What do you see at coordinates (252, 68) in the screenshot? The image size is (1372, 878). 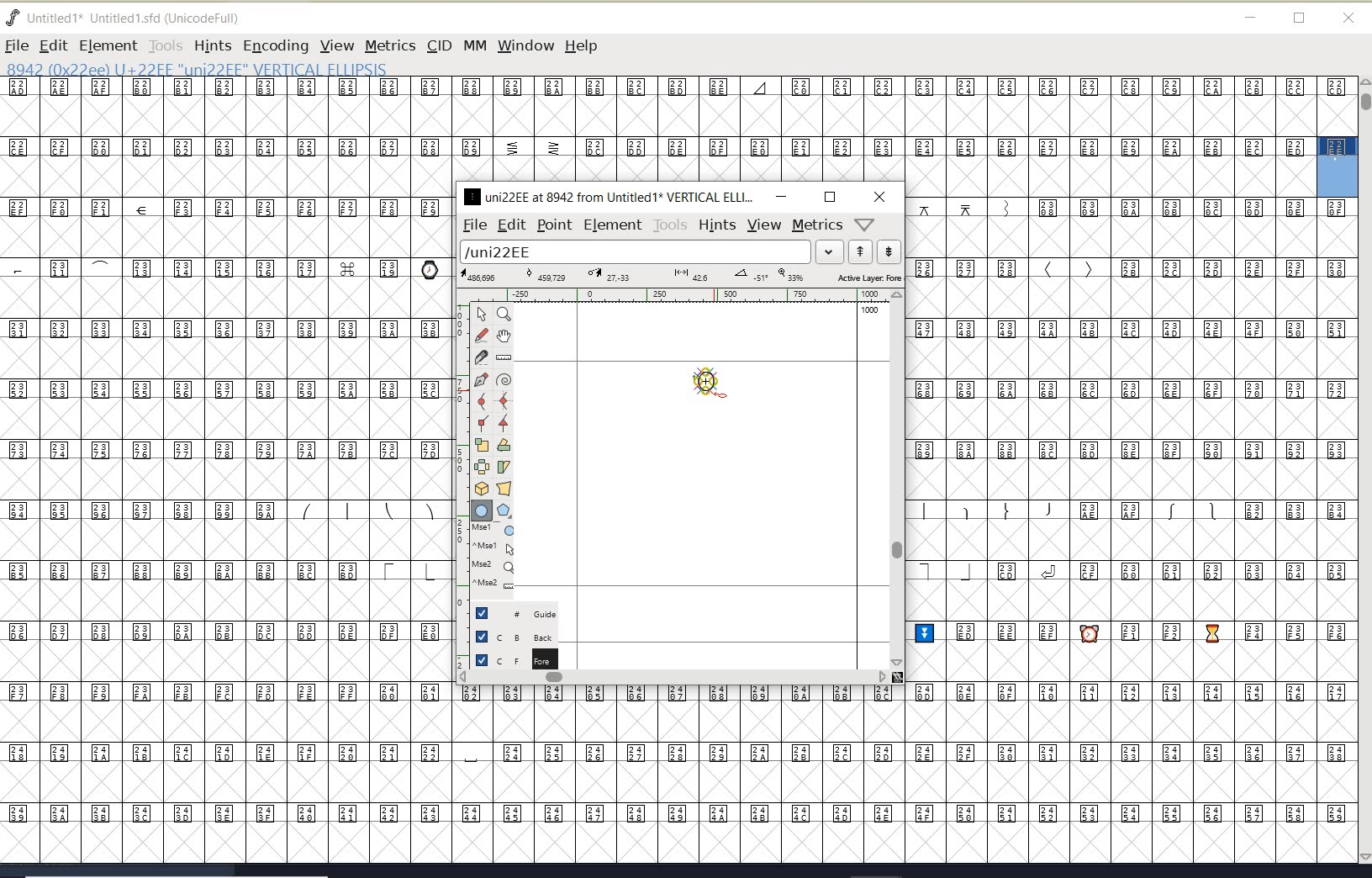 I see `8942 (0x22ee) U+22EE "uni22EE" VERTICAL EllIPSIS` at bounding box center [252, 68].